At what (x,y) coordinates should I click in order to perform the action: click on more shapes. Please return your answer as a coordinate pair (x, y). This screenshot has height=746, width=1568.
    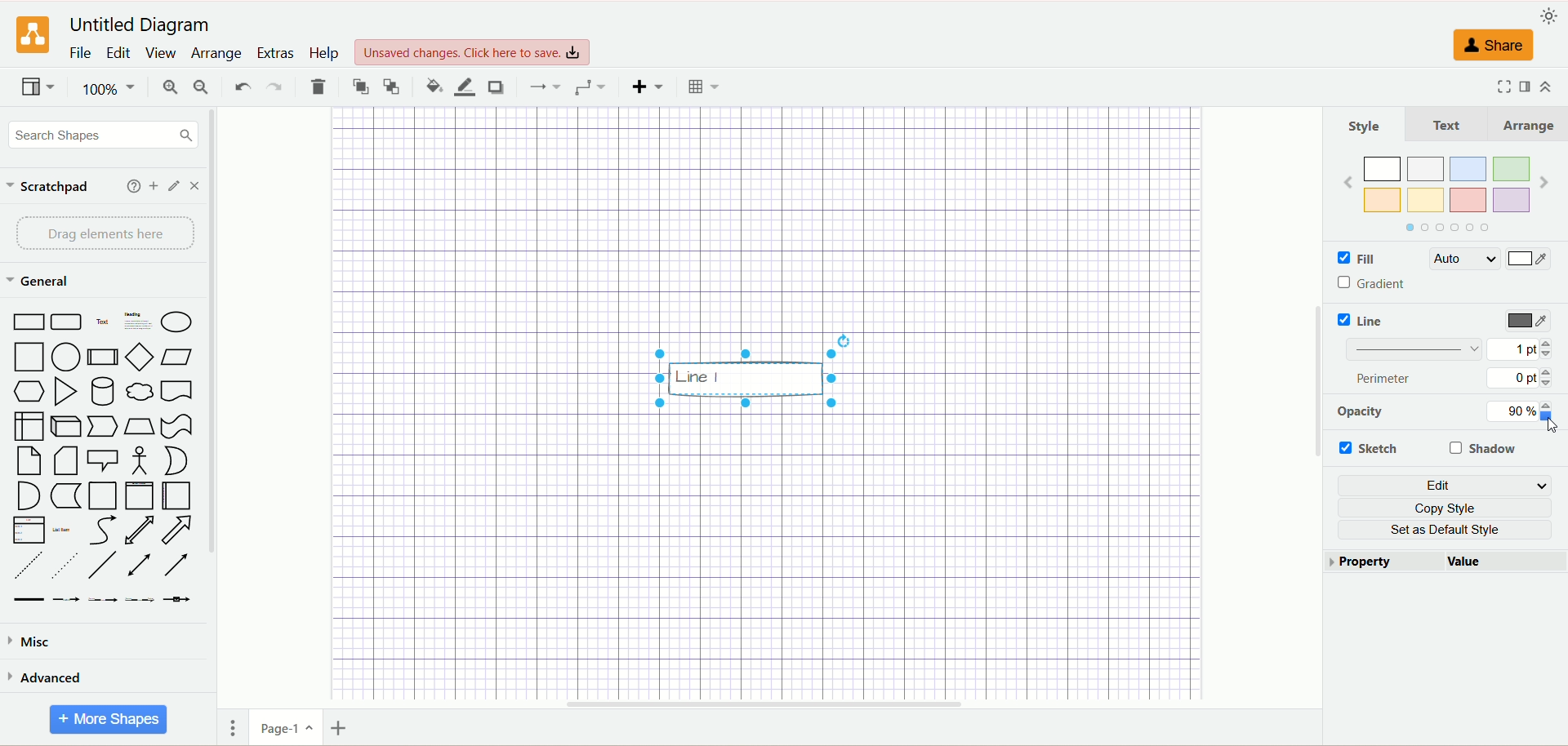
    Looking at the image, I should click on (111, 717).